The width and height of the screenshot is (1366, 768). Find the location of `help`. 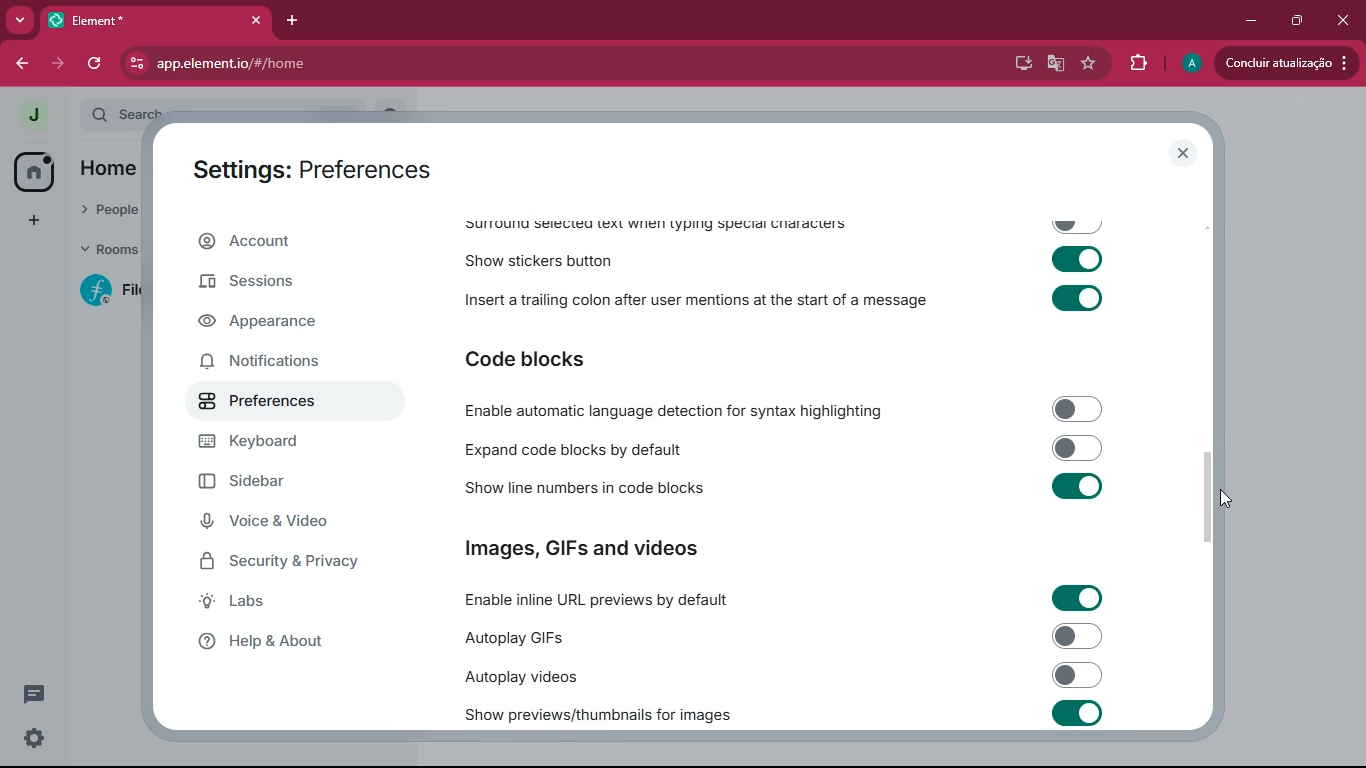

help is located at coordinates (291, 642).